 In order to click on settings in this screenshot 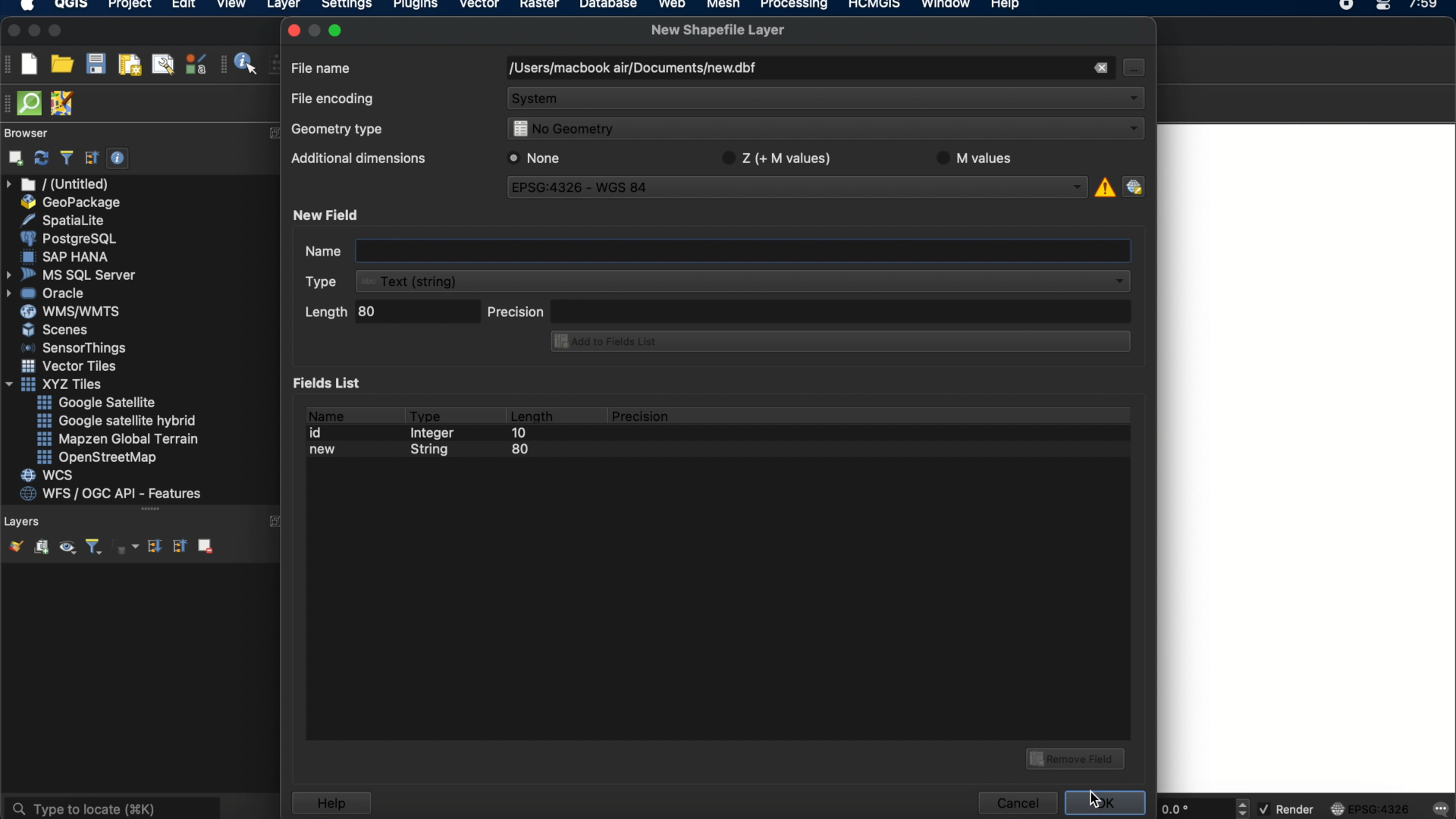, I will do `click(346, 7)`.